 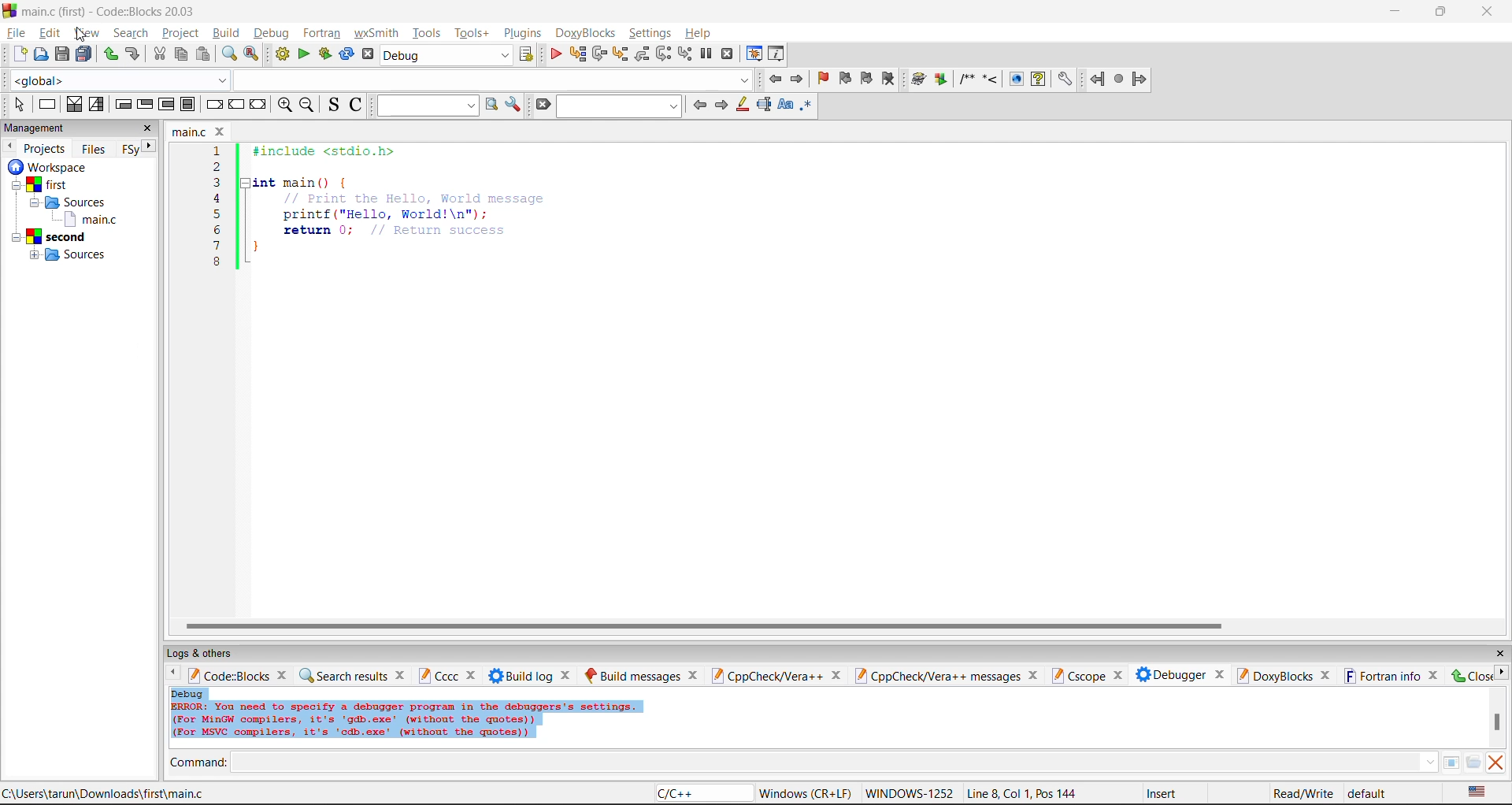 What do you see at coordinates (46, 148) in the screenshot?
I see `projects` at bounding box center [46, 148].